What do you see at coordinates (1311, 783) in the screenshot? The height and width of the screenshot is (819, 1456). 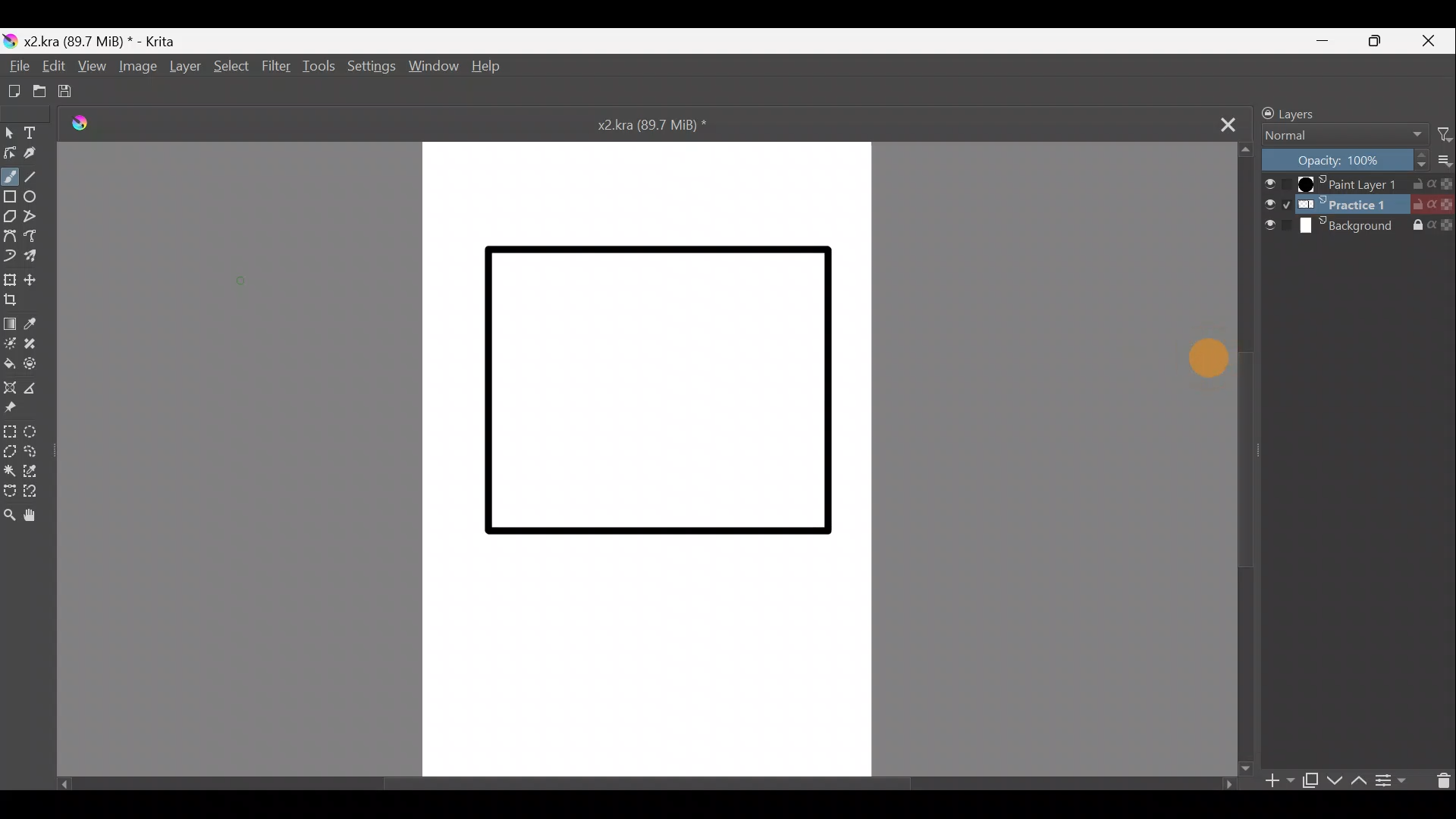 I see `Duplicate layer/mask` at bounding box center [1311, 783].